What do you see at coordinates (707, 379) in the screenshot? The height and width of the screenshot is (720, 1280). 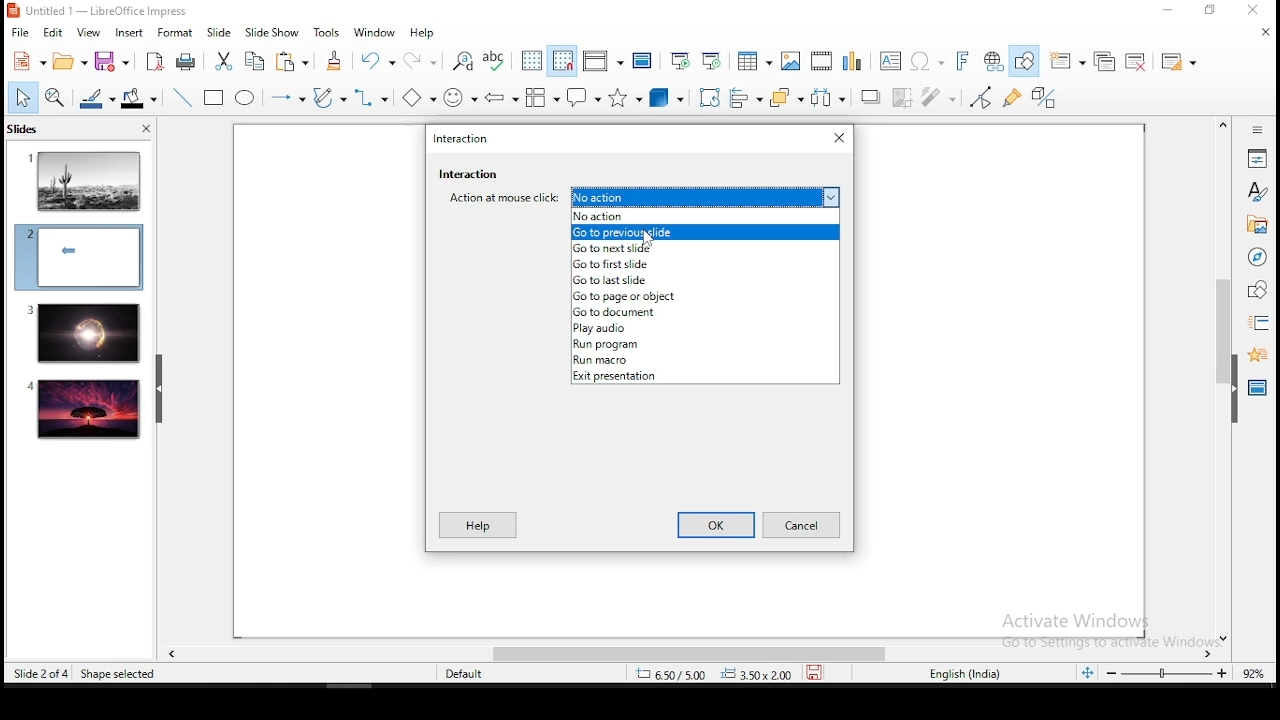 I see `exit presentation` at bounding box center [707, 379].